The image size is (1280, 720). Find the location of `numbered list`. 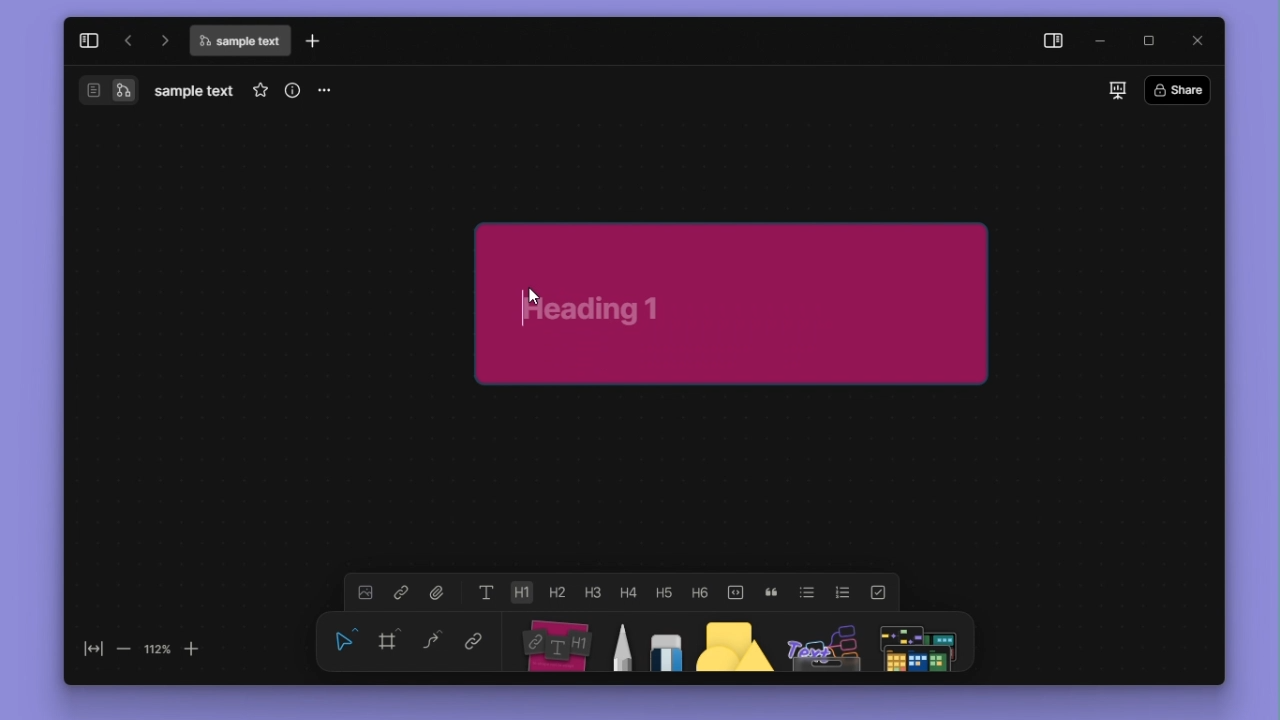

numbered list is located at coordinates (843, 593).